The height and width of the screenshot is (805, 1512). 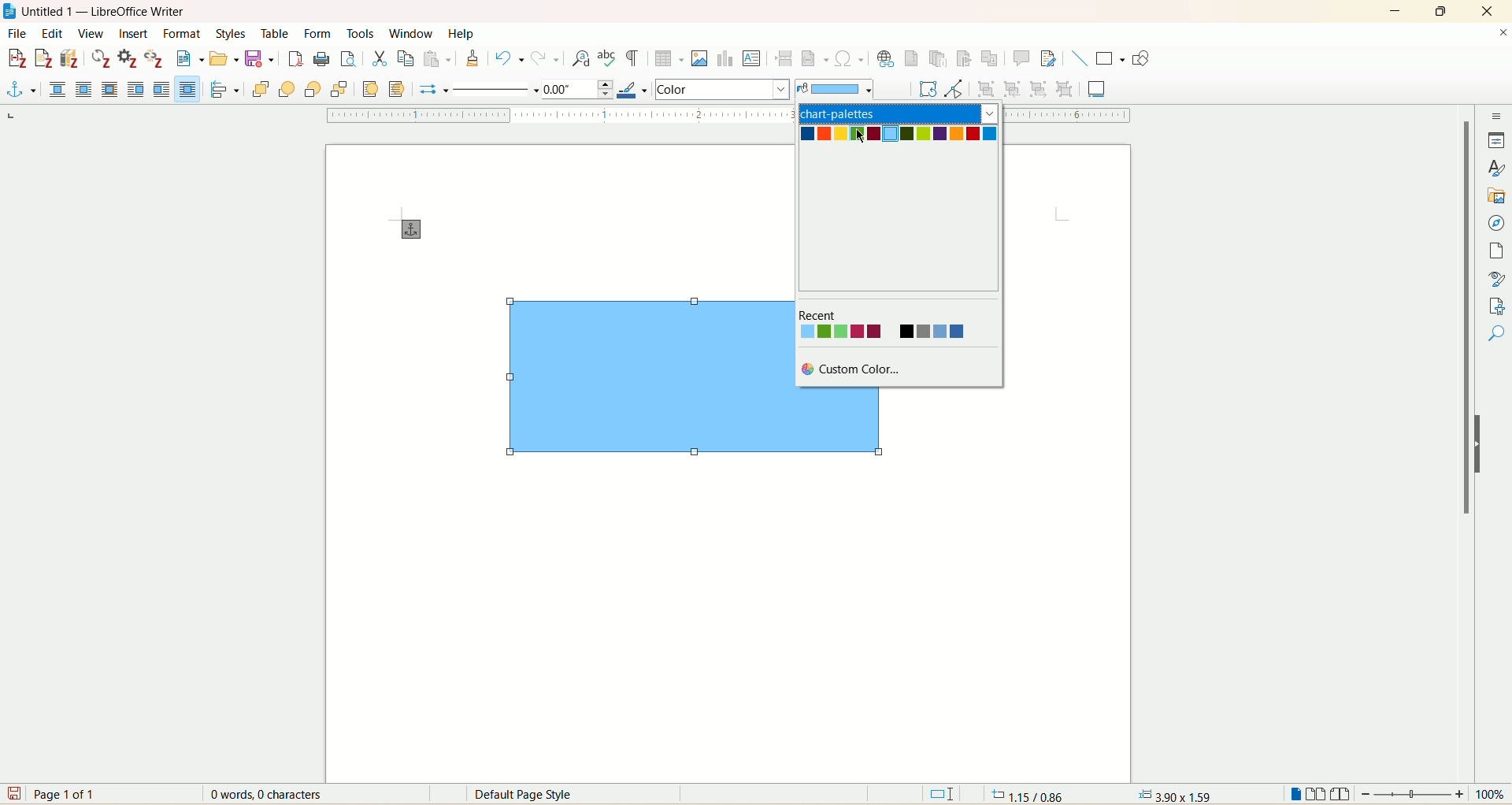 What do you see at coordinates (361, 33) in the screenshot?
I see `tools` at bounding box center [361, 33].